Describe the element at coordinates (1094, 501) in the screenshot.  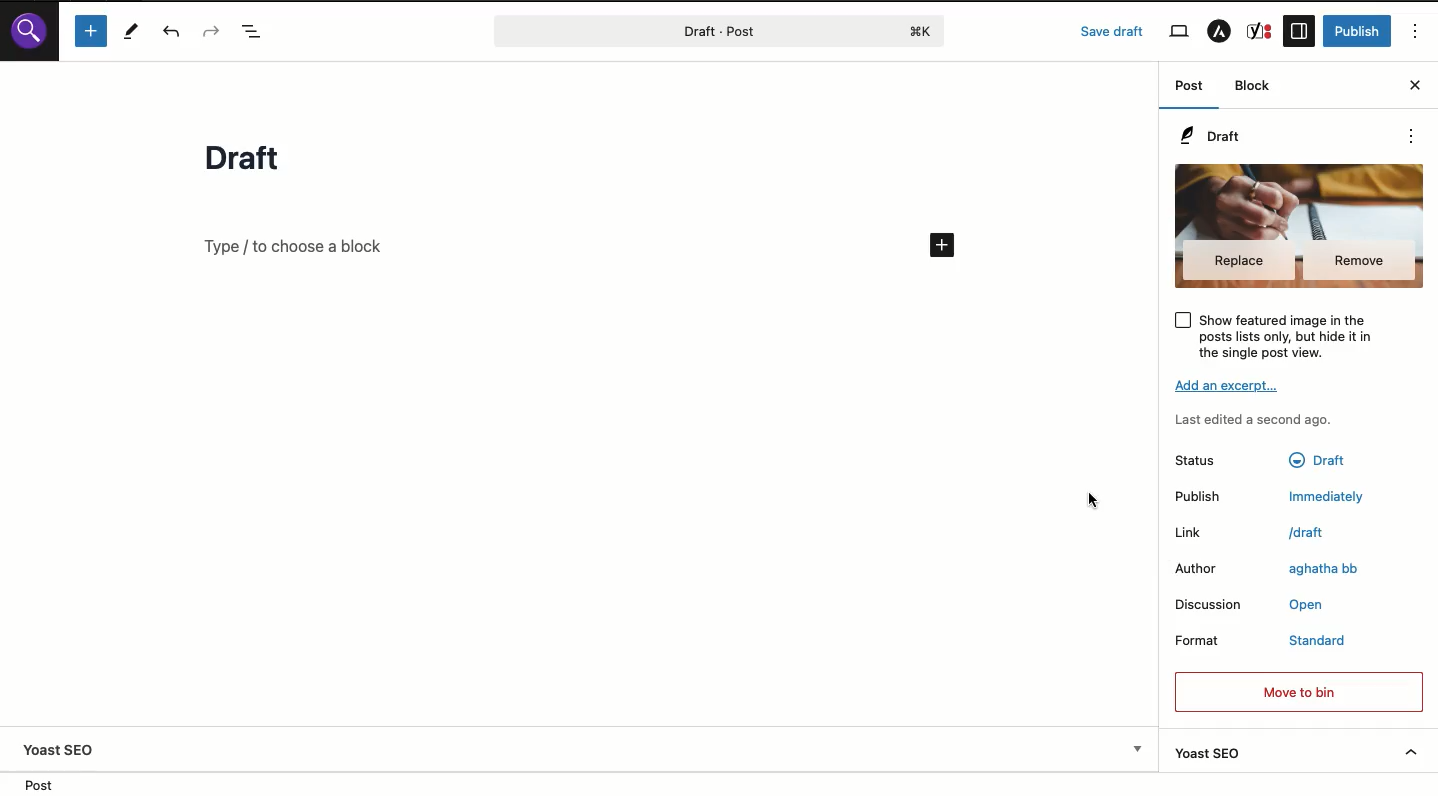
I see `Cursor ` at that location.